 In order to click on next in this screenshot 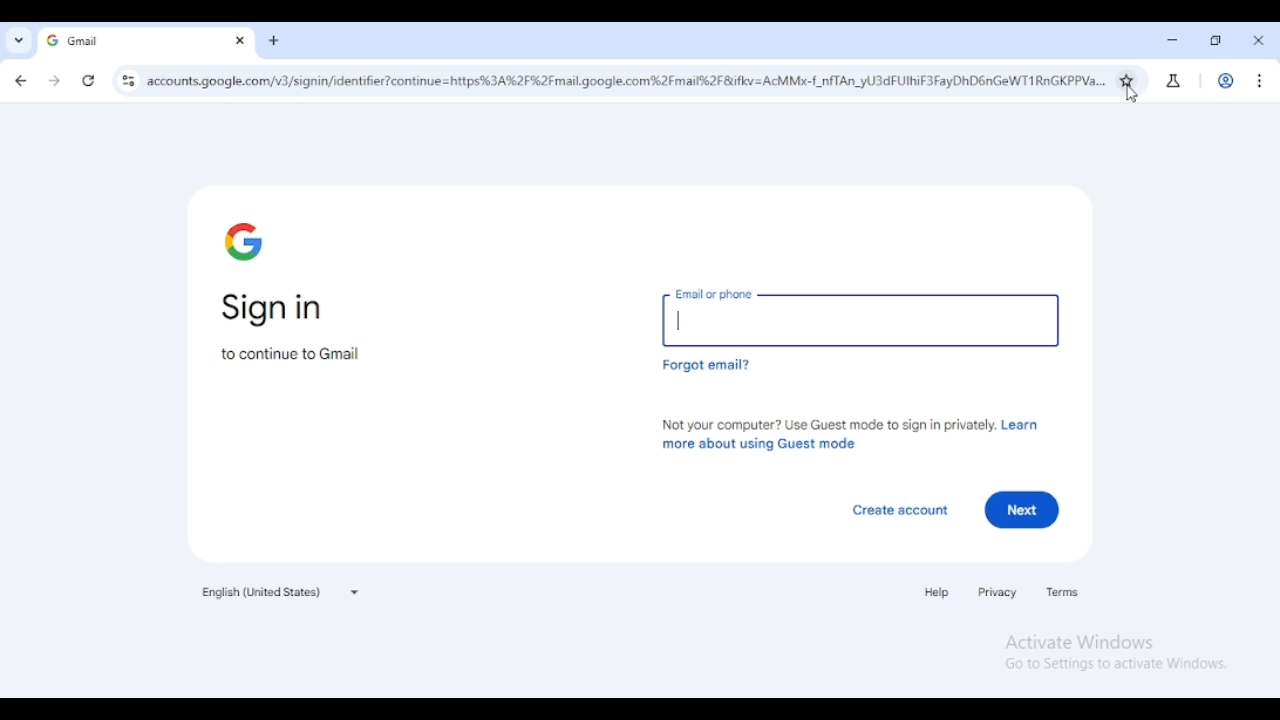, I will do `click(1023, 510)`.